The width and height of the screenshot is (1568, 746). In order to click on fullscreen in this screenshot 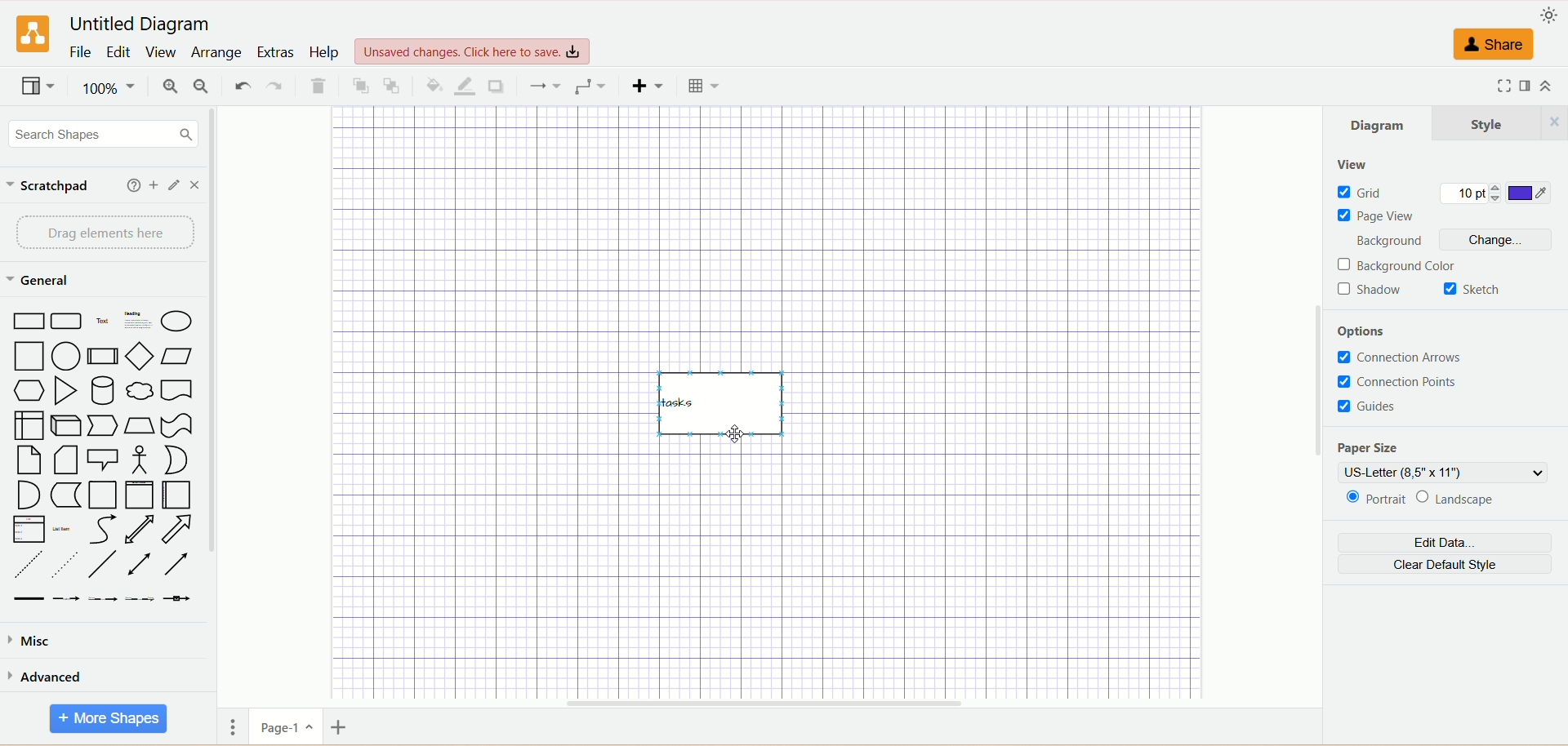, I will do `click(1503, 87)`.